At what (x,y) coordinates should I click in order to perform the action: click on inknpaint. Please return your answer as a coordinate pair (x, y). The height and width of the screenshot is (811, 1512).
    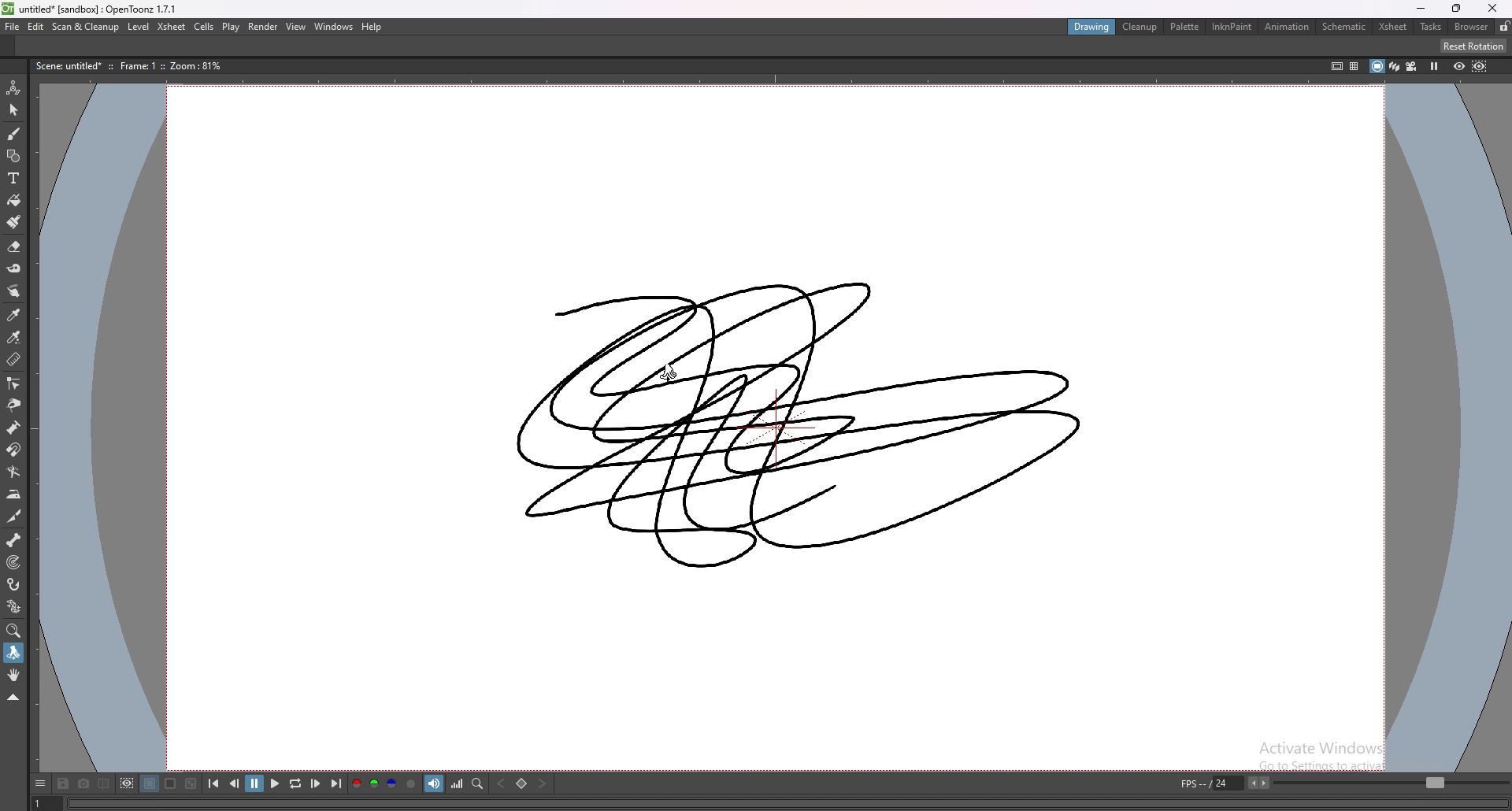
    Looking at the image, I should click on (1236, 26).